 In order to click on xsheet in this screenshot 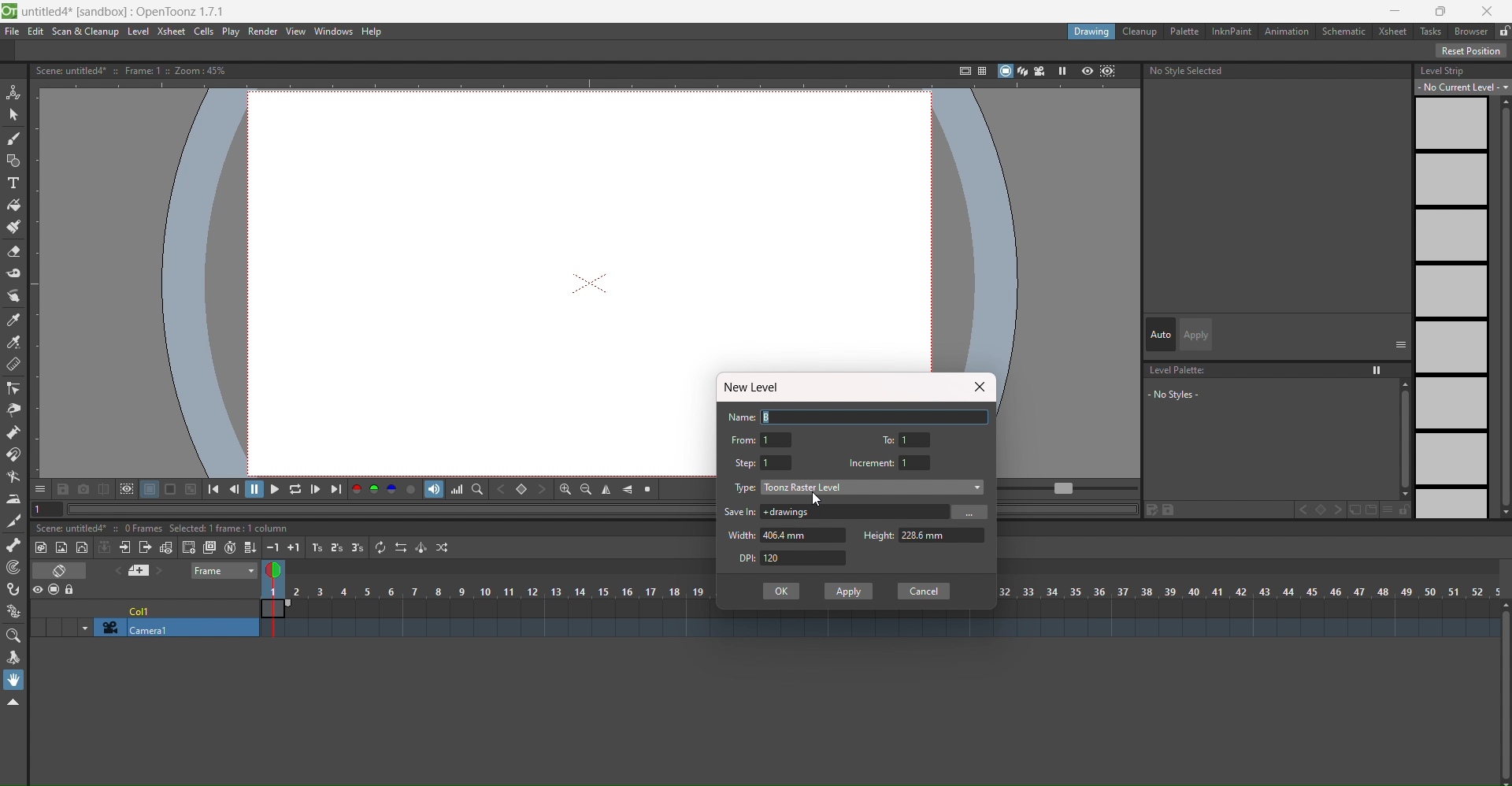, I will do `click(172, 32)`.